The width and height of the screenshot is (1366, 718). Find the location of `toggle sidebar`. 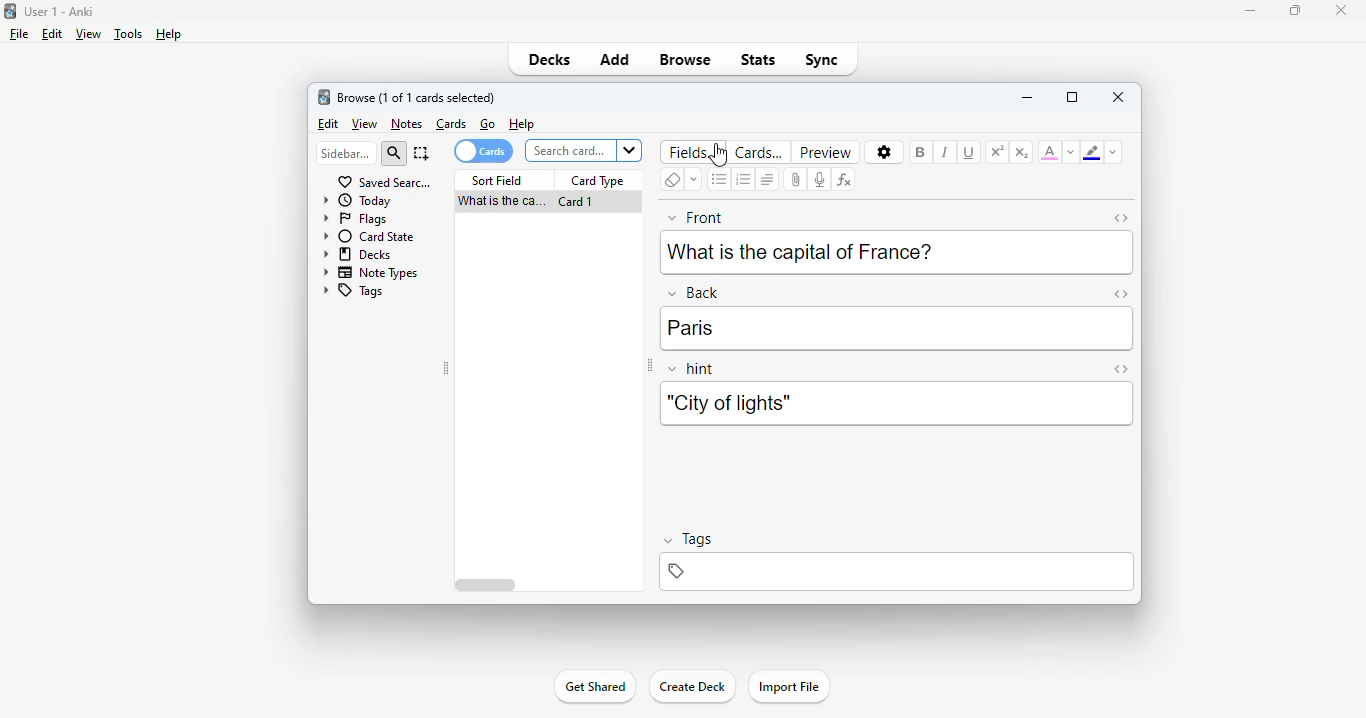

toggle sidebar is located at coordinates (447, 369).